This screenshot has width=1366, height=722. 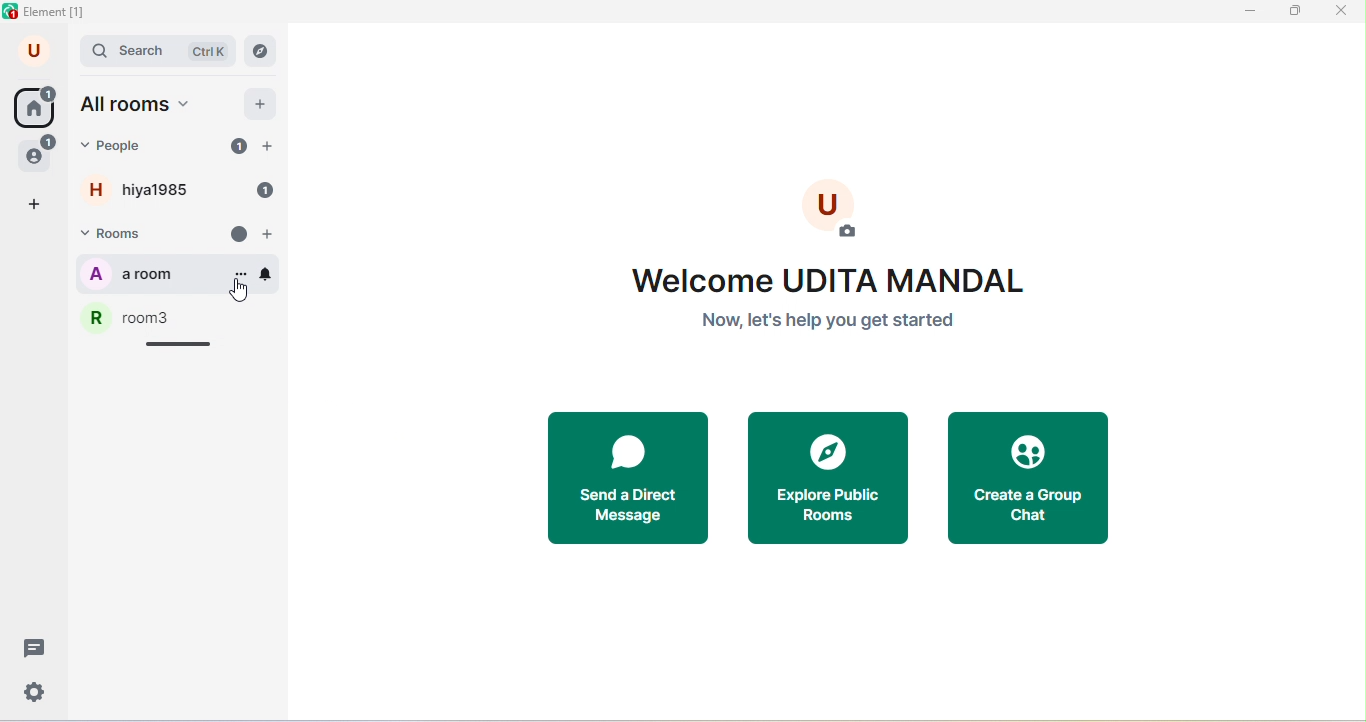 What do you see at coordinates (154, 274) in the screenshot?
I see `a room` at bounding box center [154, 274].